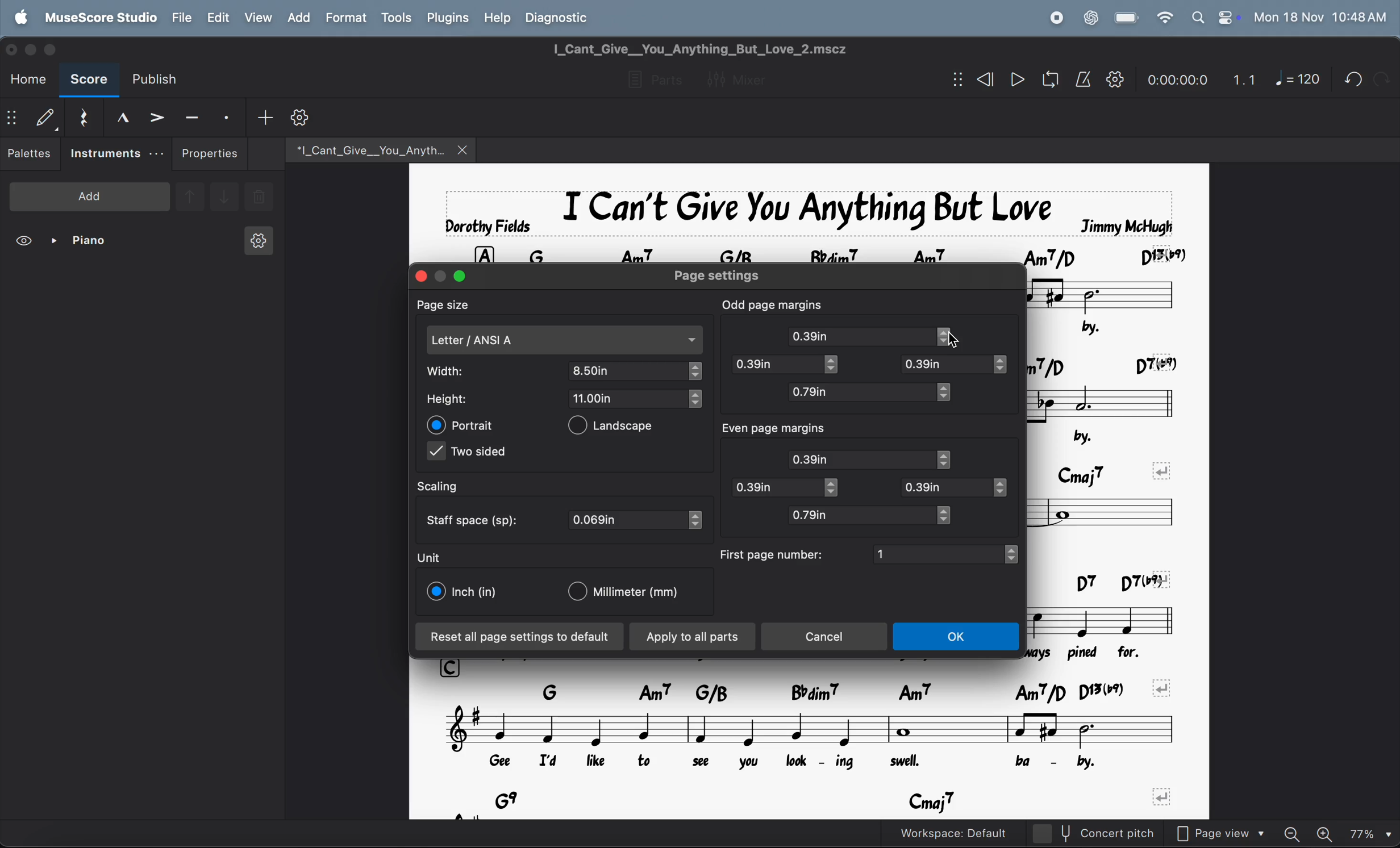  What do you see at coordinates (1017, 81) in the screenshot?
I see `play` at bounding box center [1017, 81].